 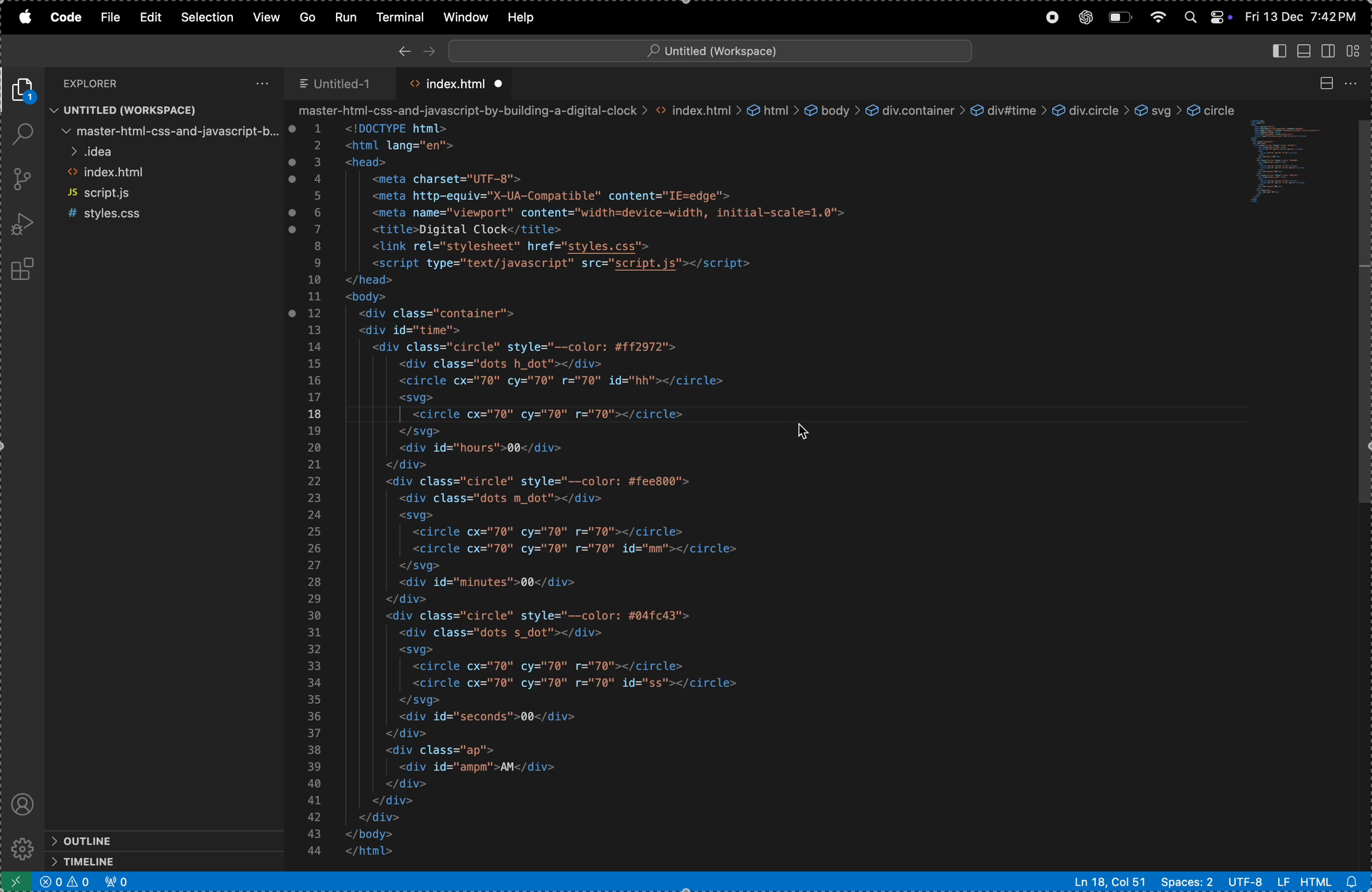 What do you see at coordinates (140, 840) in the screenshot?
I see `outline` at bounding box center [140, 840].